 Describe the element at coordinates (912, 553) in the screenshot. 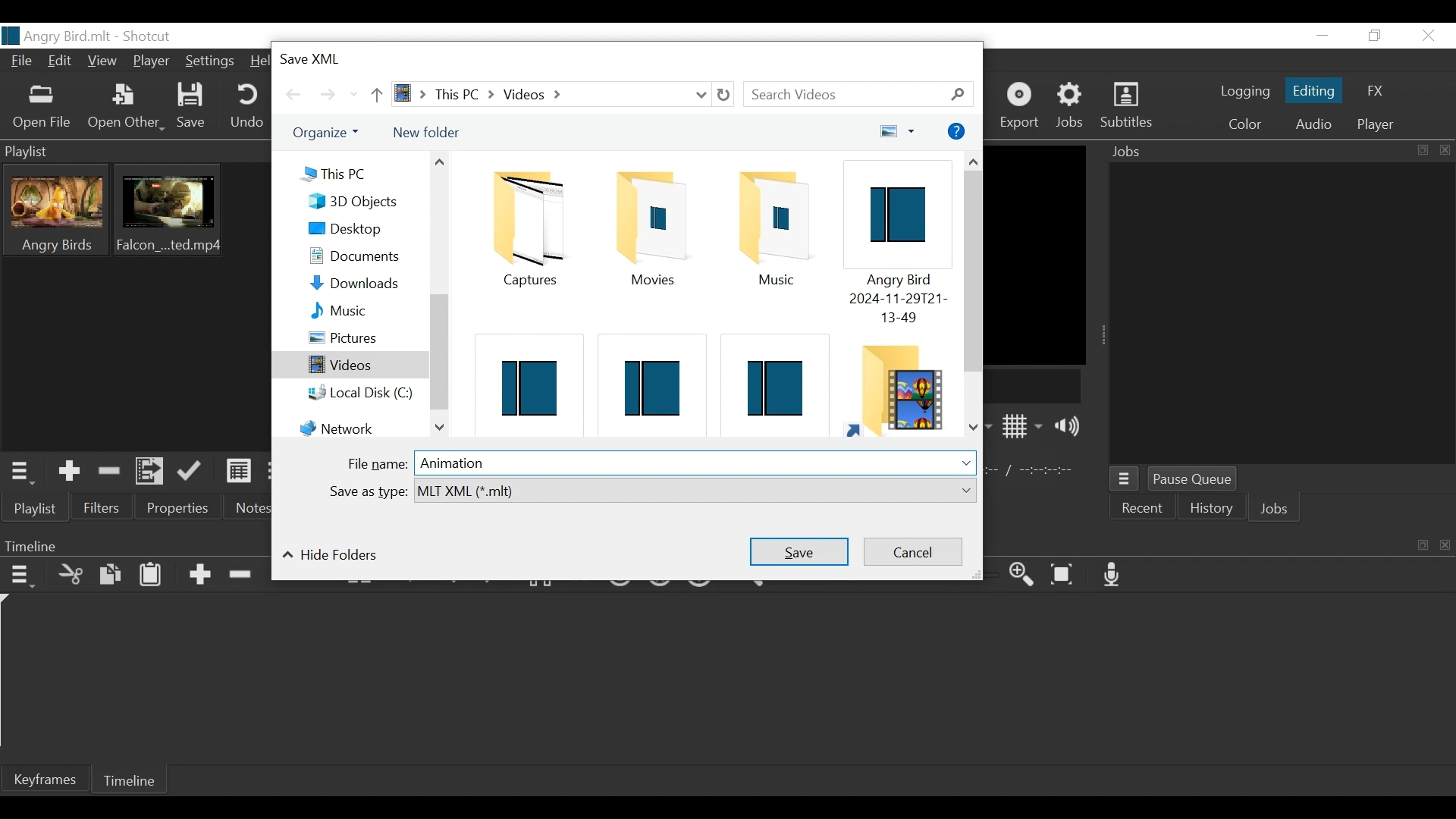

I see `Cancel` at that location.